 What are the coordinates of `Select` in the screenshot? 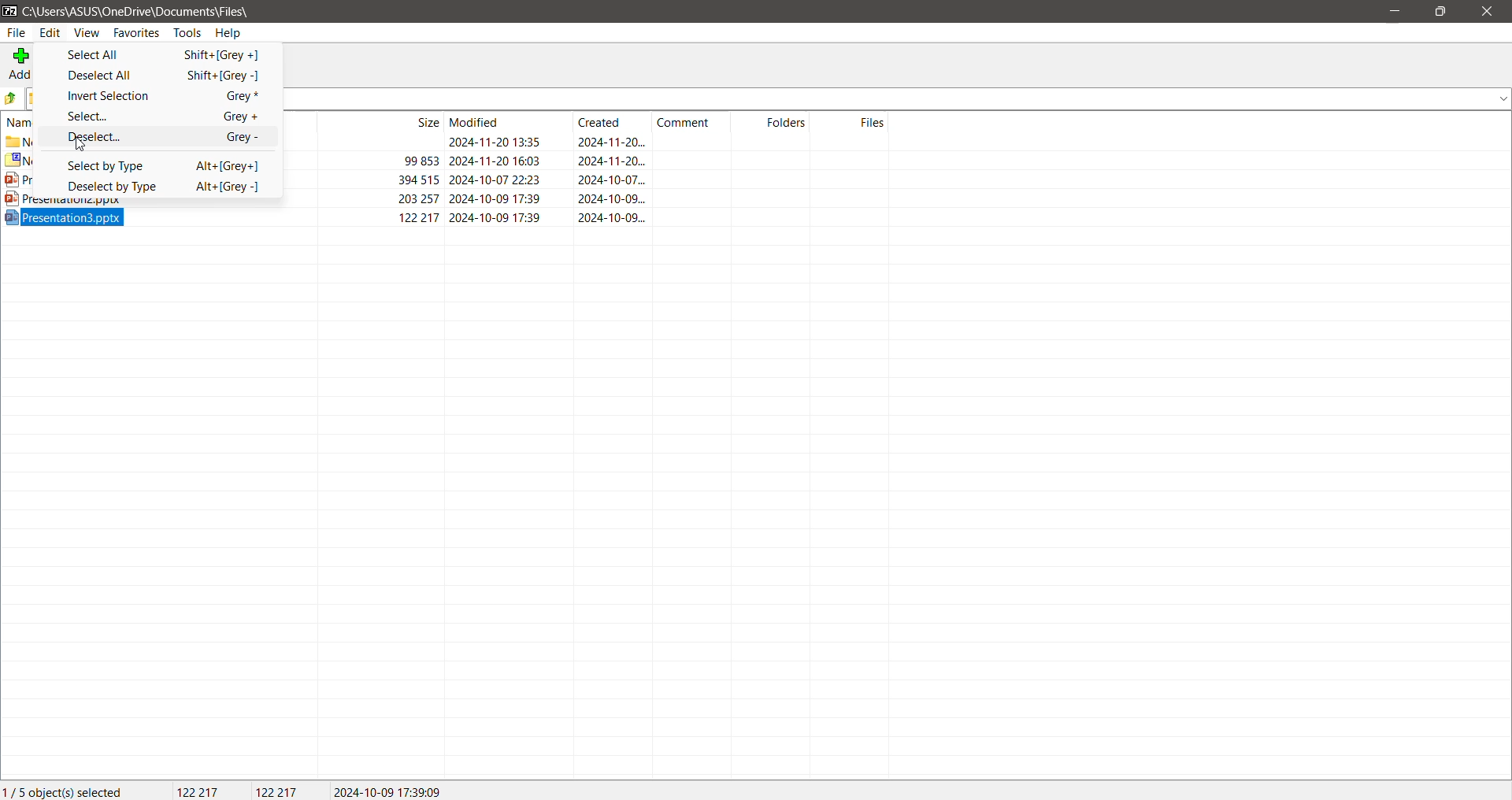 It's located at (119, 117).